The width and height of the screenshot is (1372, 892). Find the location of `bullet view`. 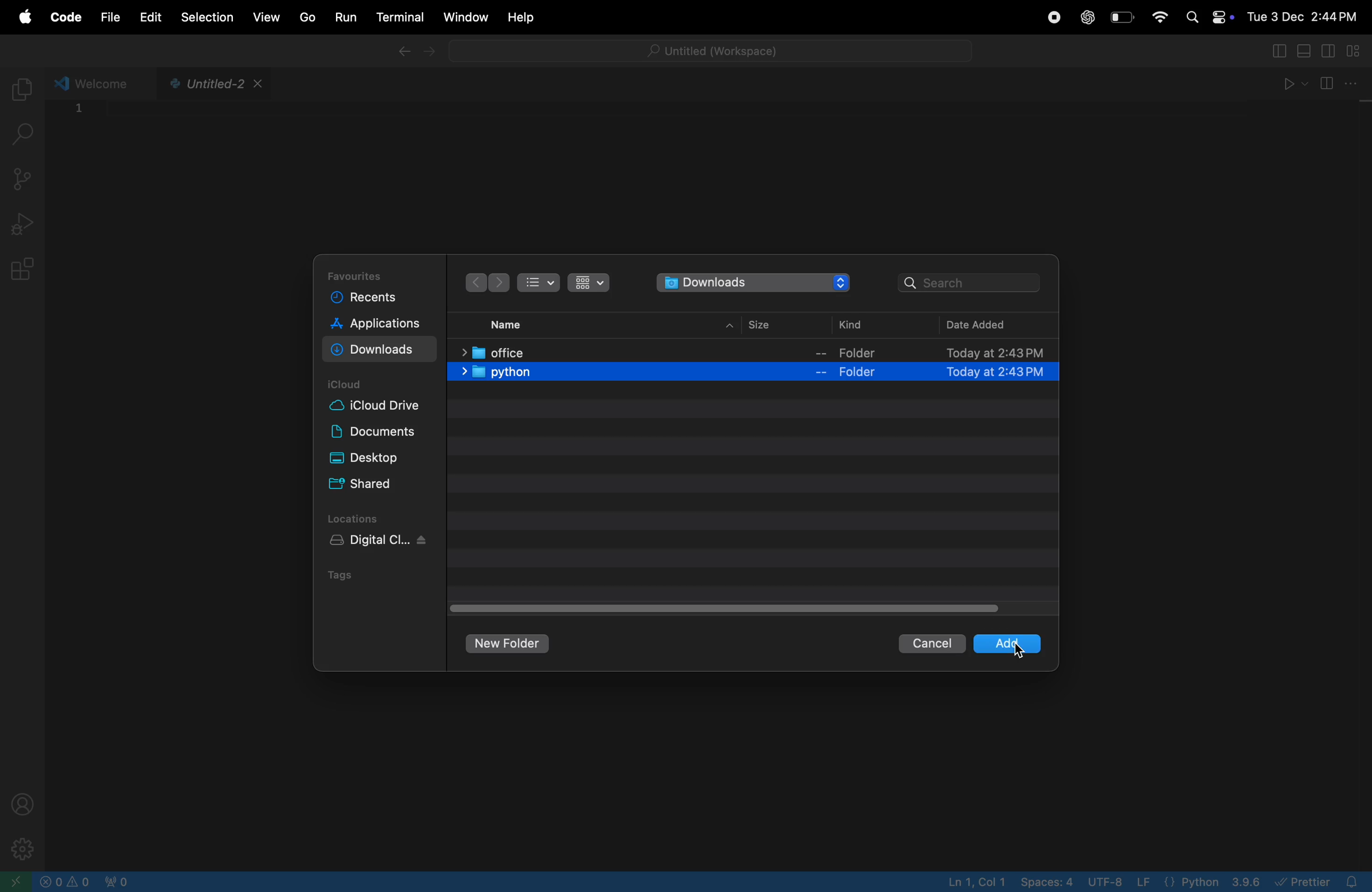

bullet view is located at coordinates (544, 284).